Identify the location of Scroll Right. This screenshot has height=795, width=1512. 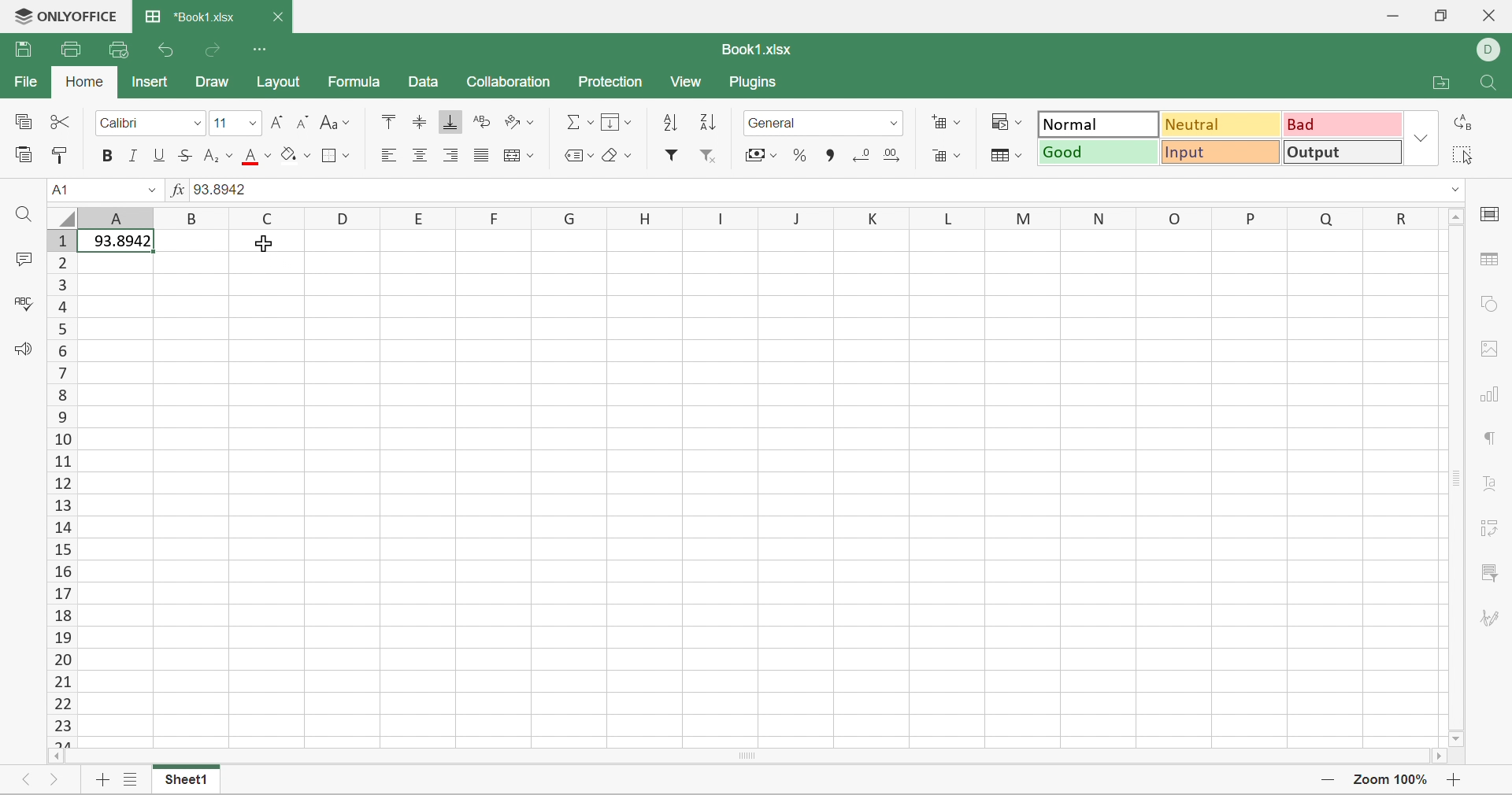
(1434, 758).